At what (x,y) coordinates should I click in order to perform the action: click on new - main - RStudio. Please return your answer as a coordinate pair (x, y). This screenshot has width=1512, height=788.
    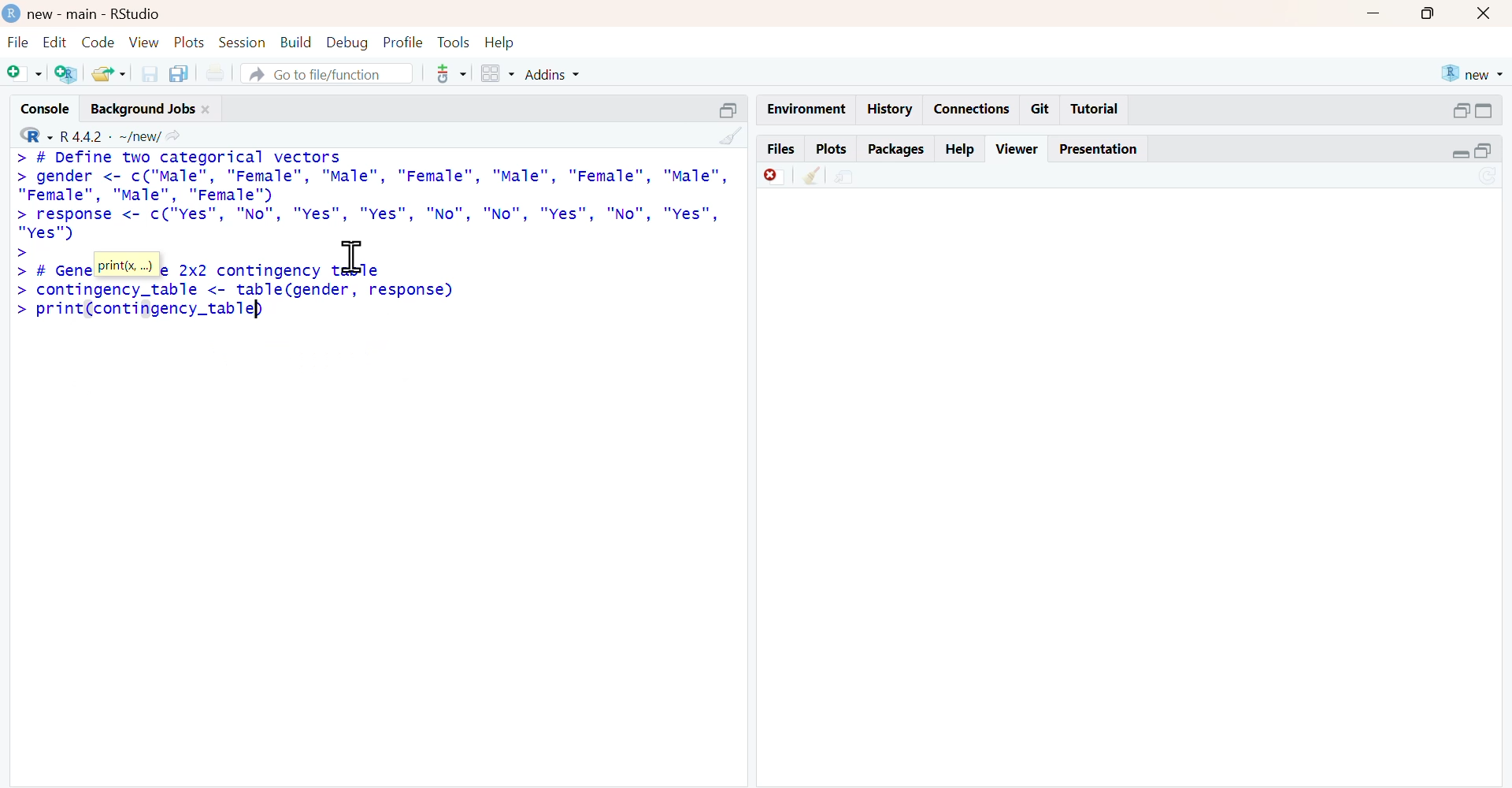
    Looking at the image, I should click on (97, 15).